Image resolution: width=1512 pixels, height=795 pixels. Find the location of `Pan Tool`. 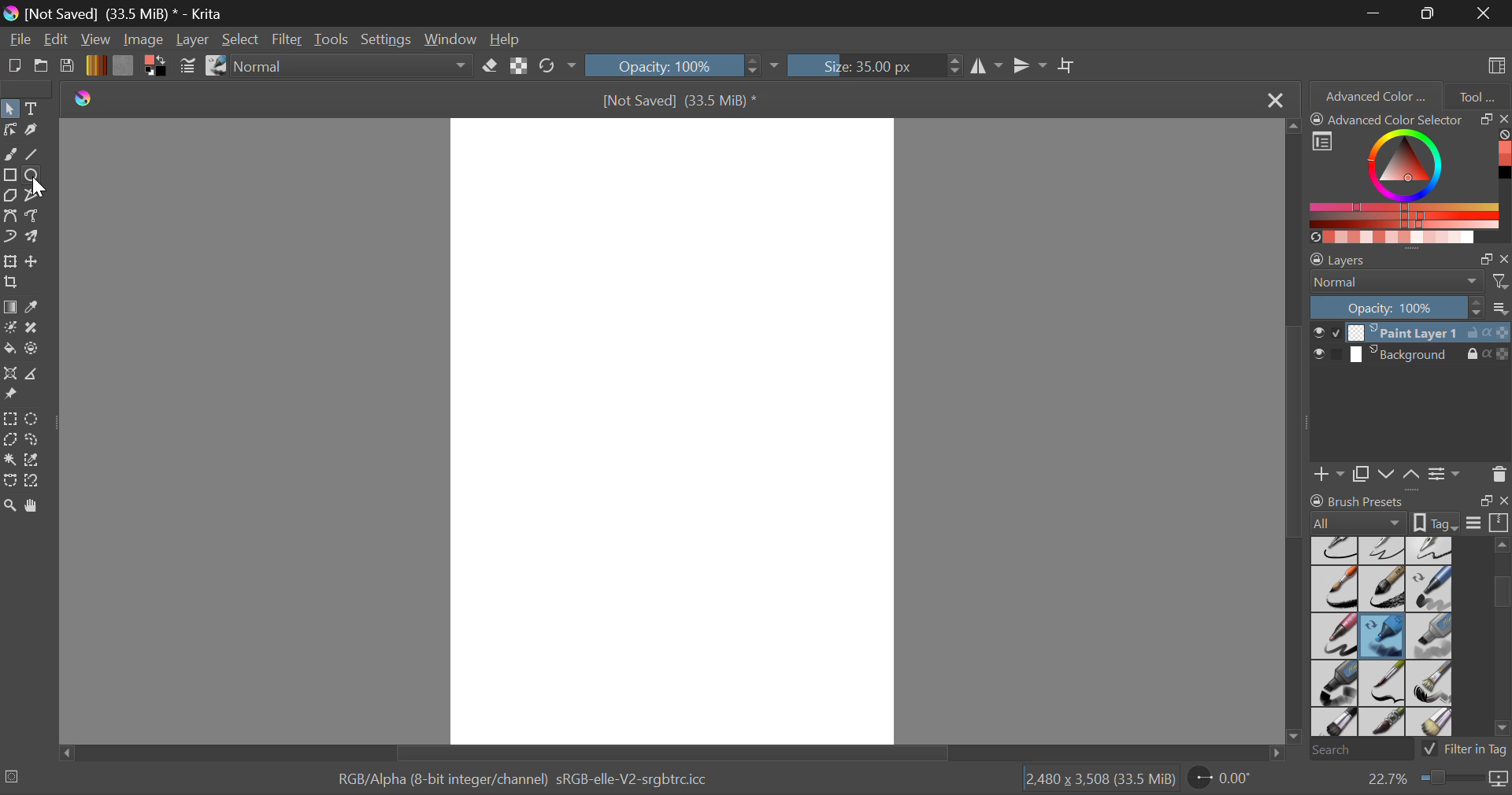

Pan Tool is located at coordinates (35, 505).